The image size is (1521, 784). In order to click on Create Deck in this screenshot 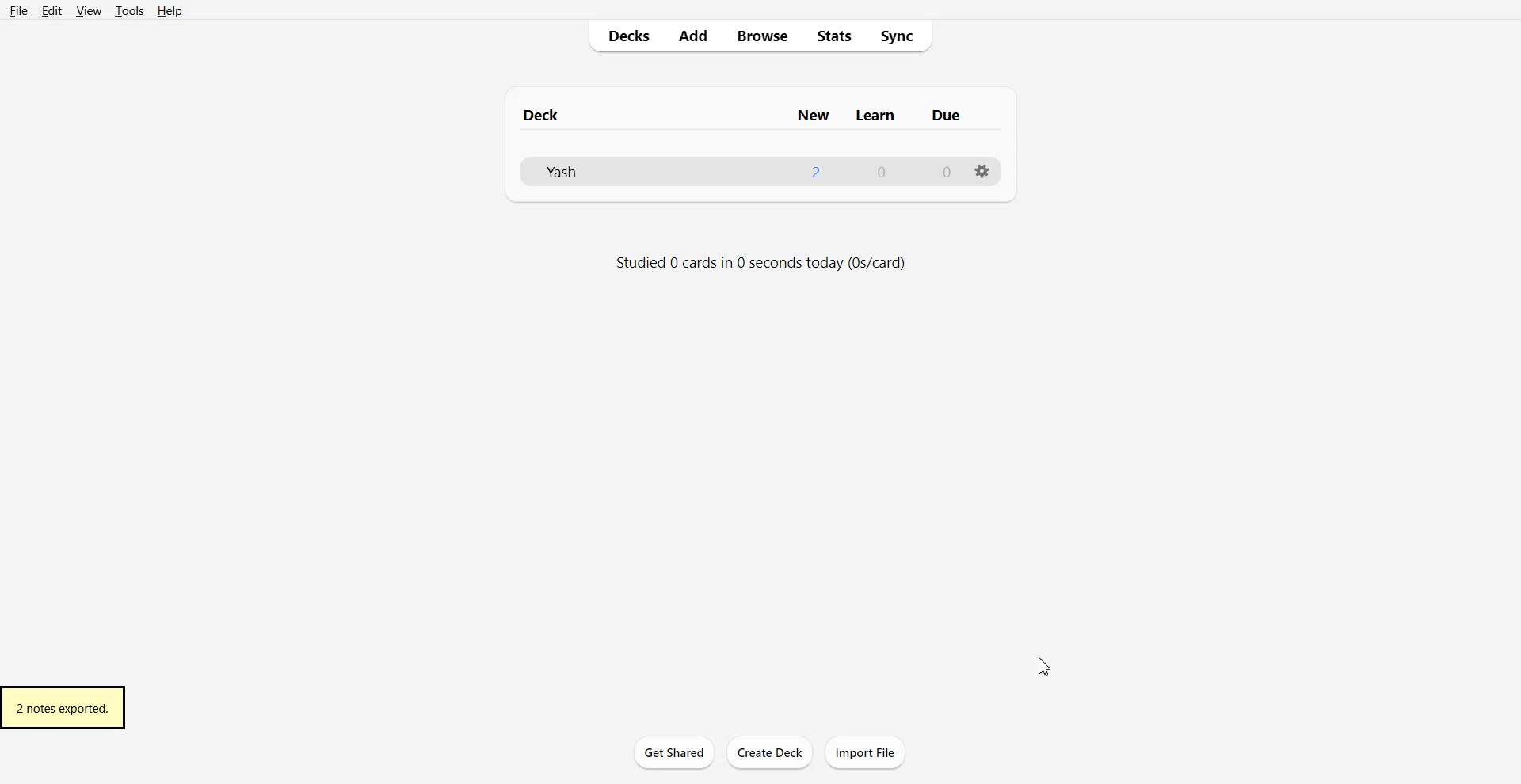, I will do `click(769, 752)`.